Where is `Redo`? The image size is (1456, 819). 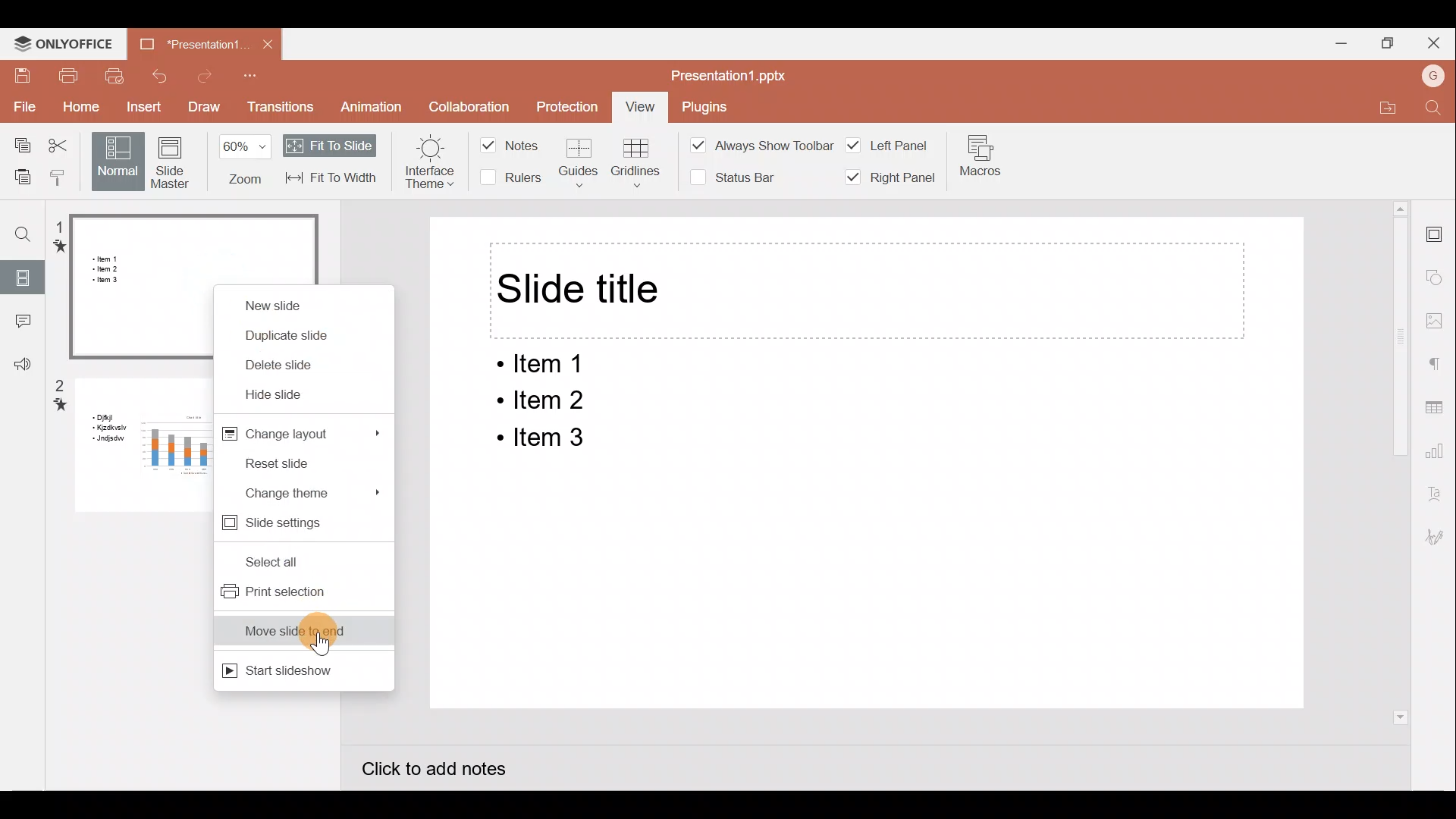
Redo is located at coordinates (204, 77).